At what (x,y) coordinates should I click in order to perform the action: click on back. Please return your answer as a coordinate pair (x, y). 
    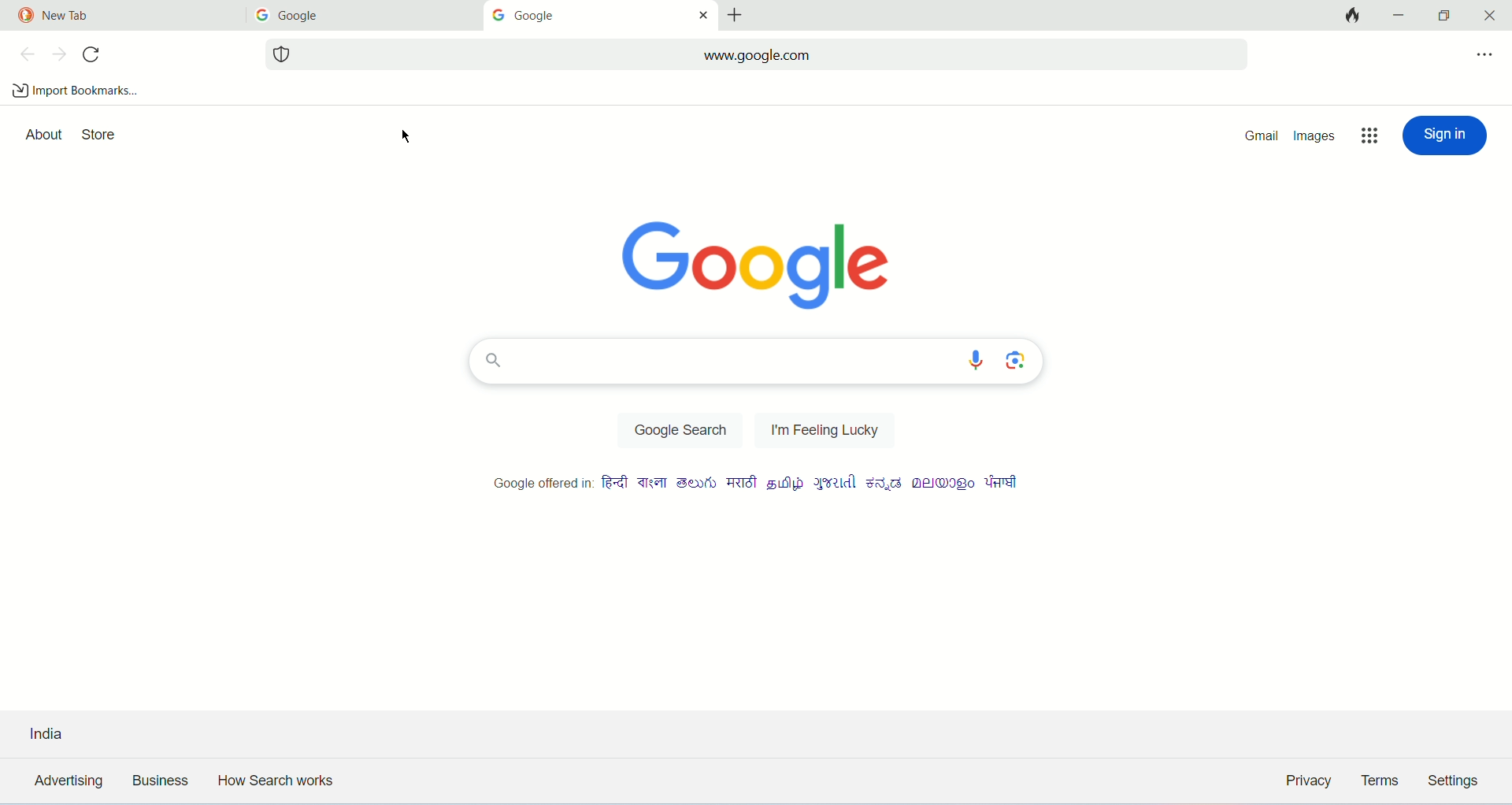
    Looking at the image, I should click on (28, 54).